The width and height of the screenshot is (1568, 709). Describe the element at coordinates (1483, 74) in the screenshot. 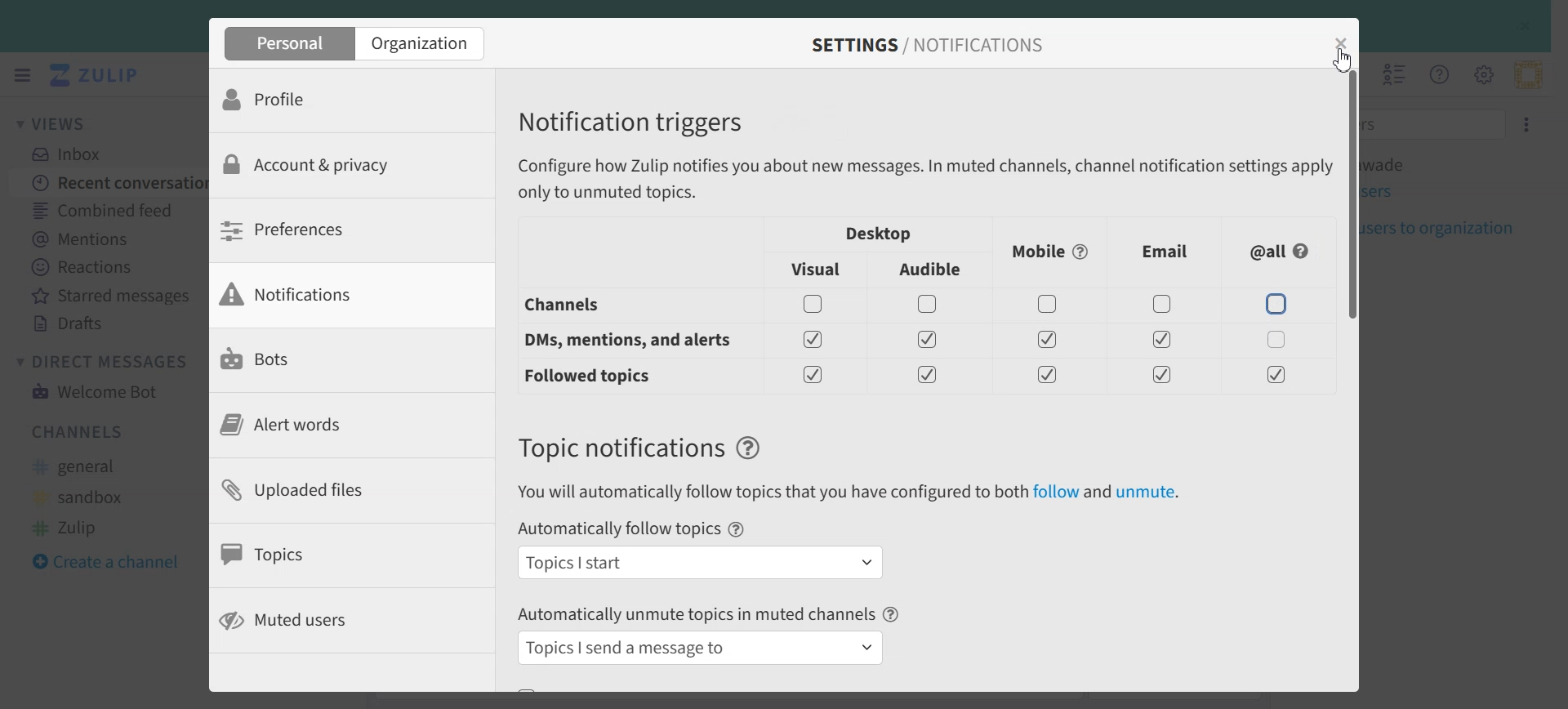

I see `Main menu` at that location.